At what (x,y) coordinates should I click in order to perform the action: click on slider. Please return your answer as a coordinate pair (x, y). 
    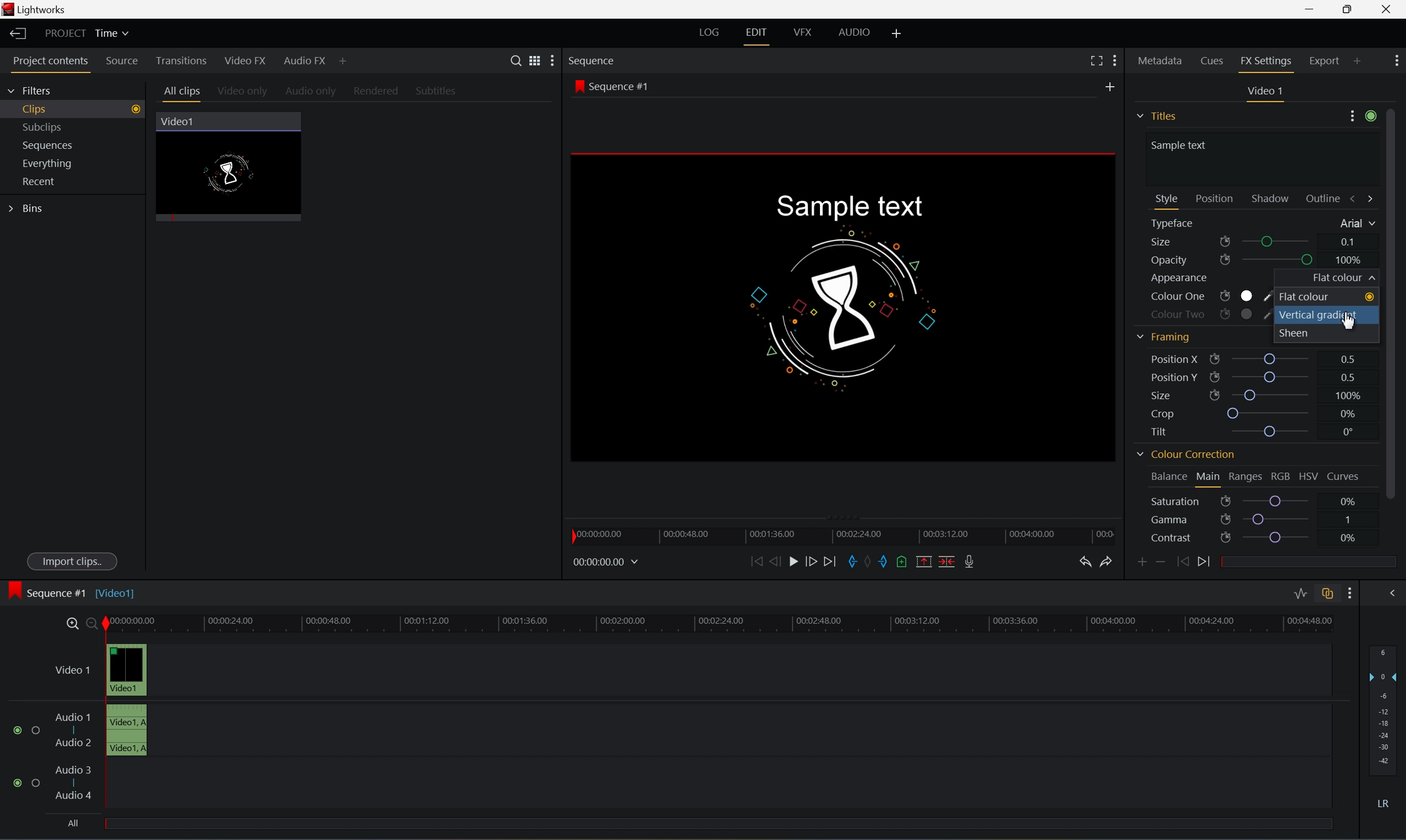
    Looking at the image, I should click on (1273, 357).